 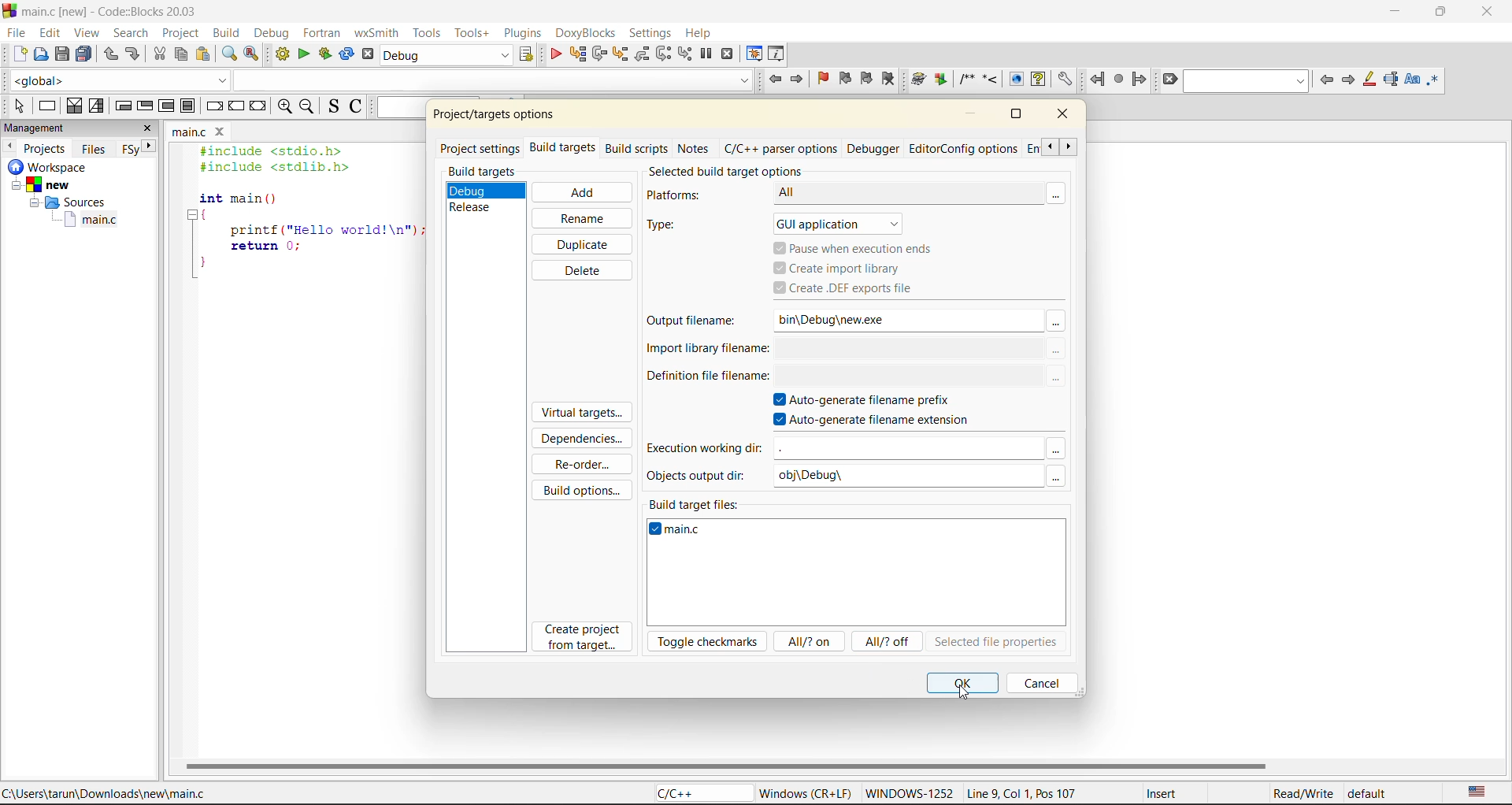 I want to click on edit, so click(x=50, y=33).